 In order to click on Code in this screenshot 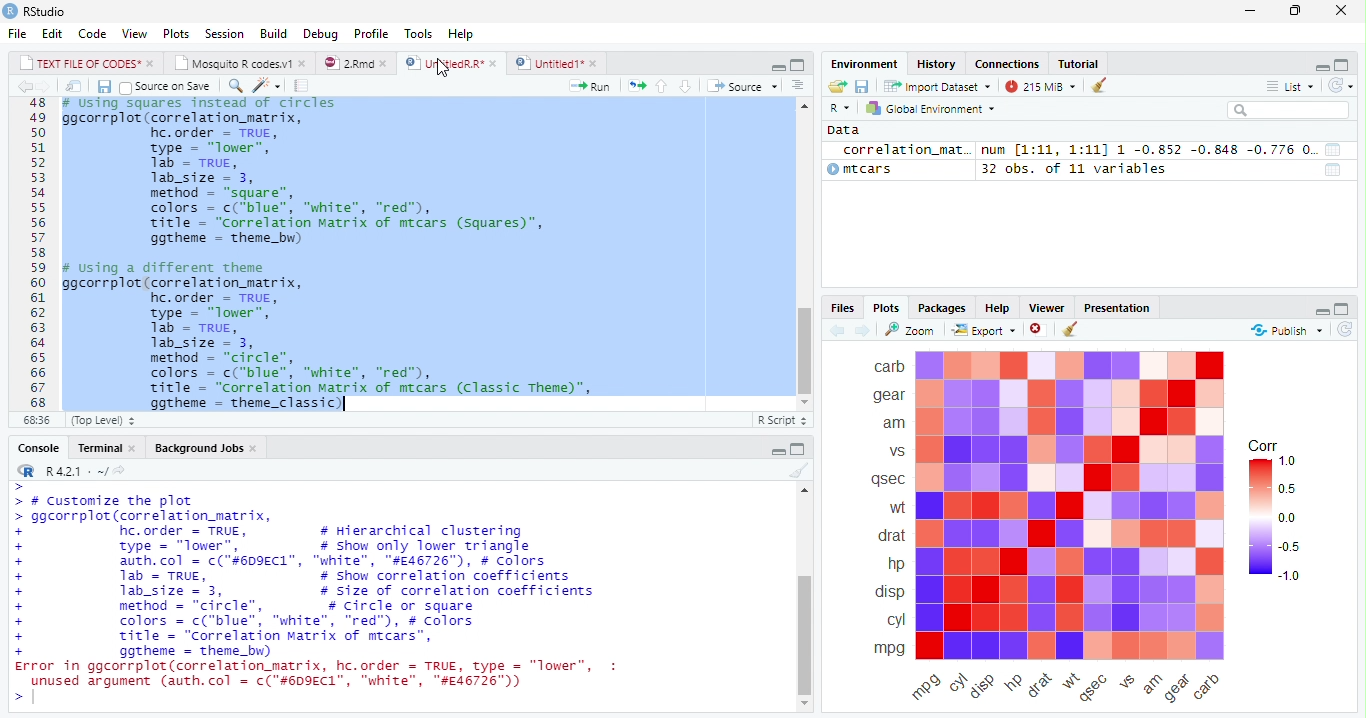, I will do `click(92, 35)`.